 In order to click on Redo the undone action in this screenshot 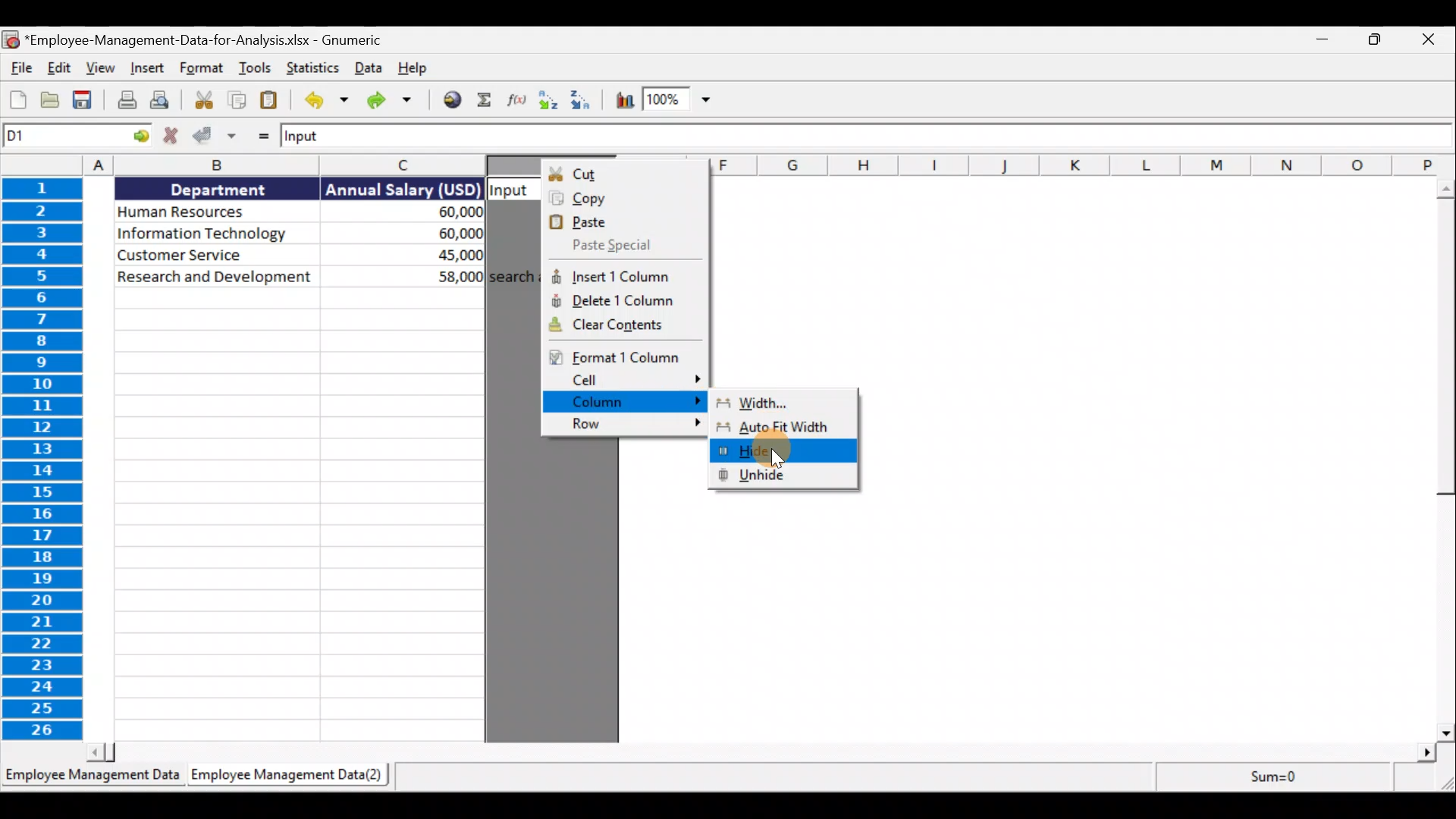, I will do `click(394, 100)`.